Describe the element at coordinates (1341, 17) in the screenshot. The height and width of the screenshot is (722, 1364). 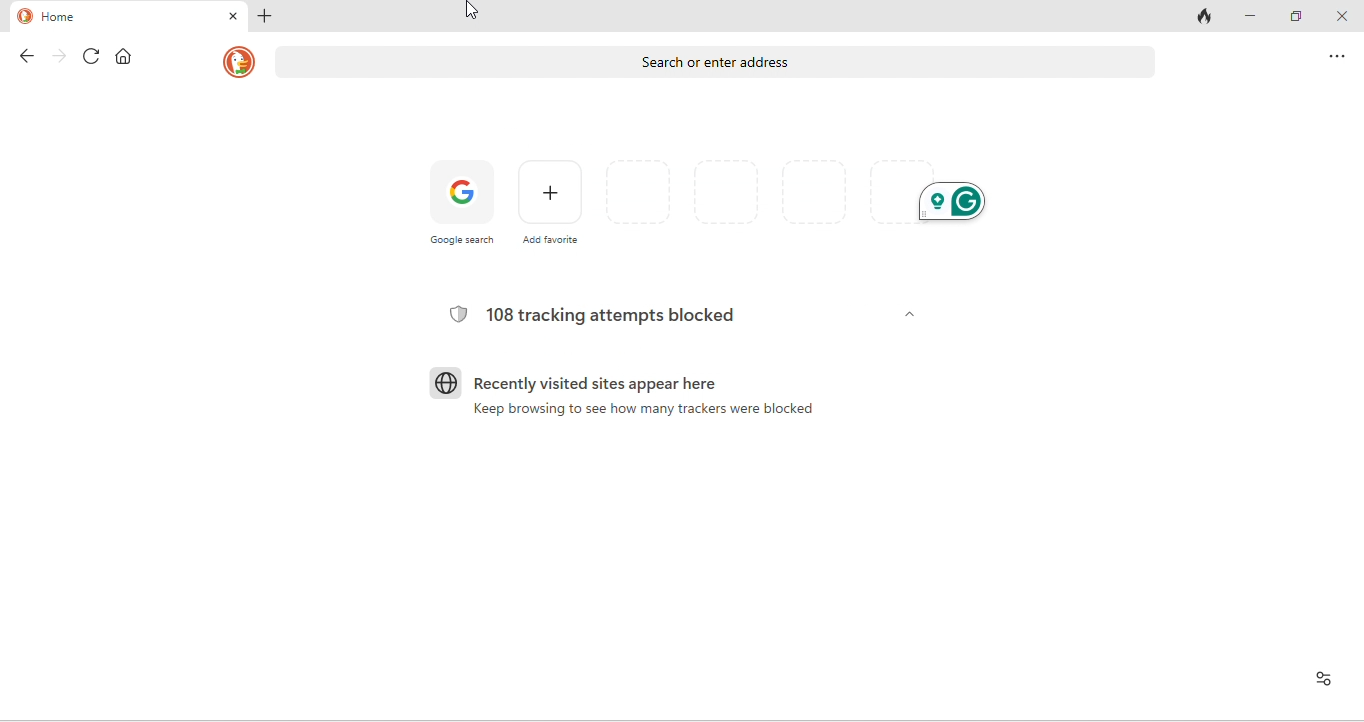
I see `close` at that location.